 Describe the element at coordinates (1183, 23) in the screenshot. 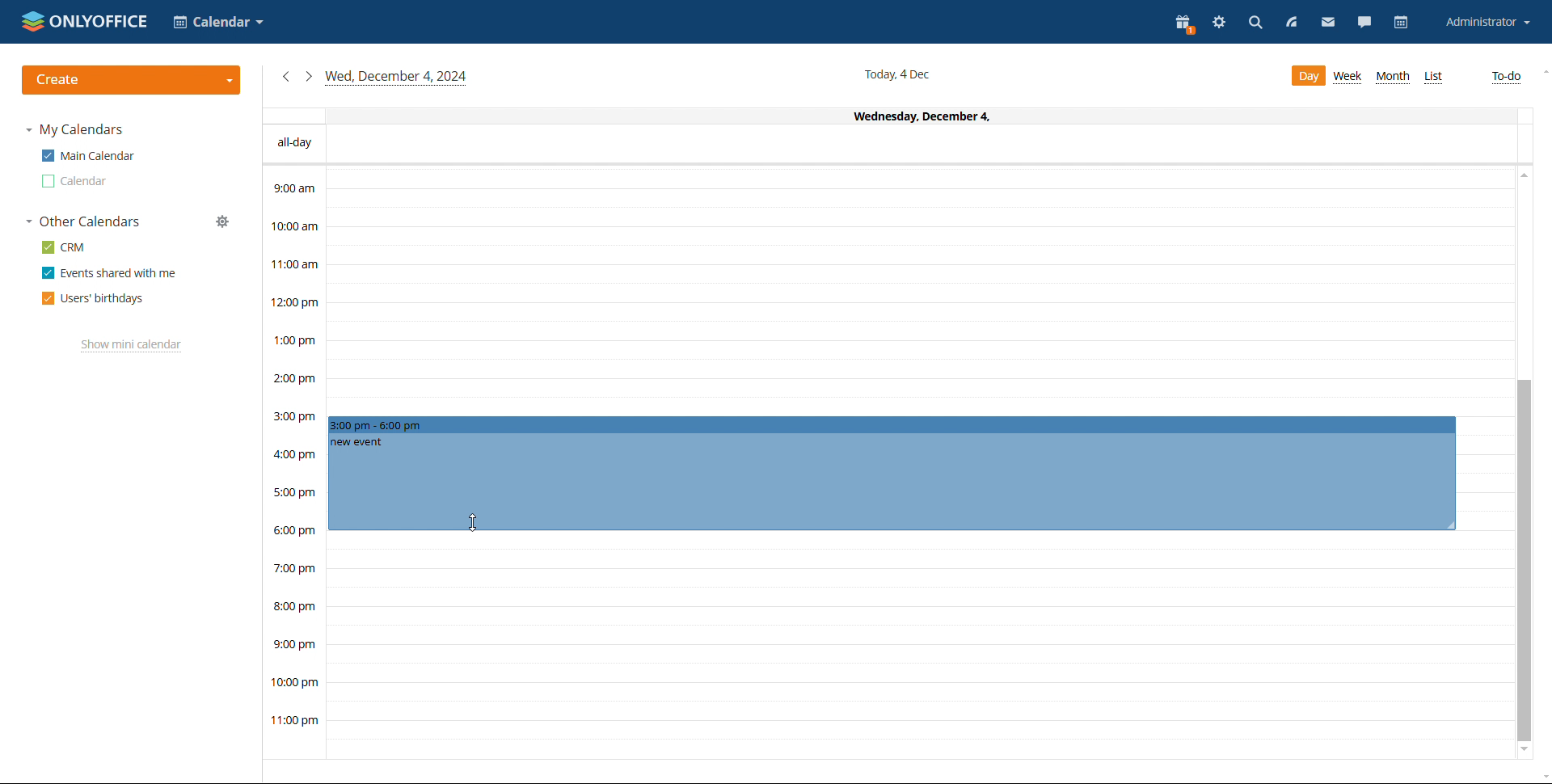

I see `present` at that location.